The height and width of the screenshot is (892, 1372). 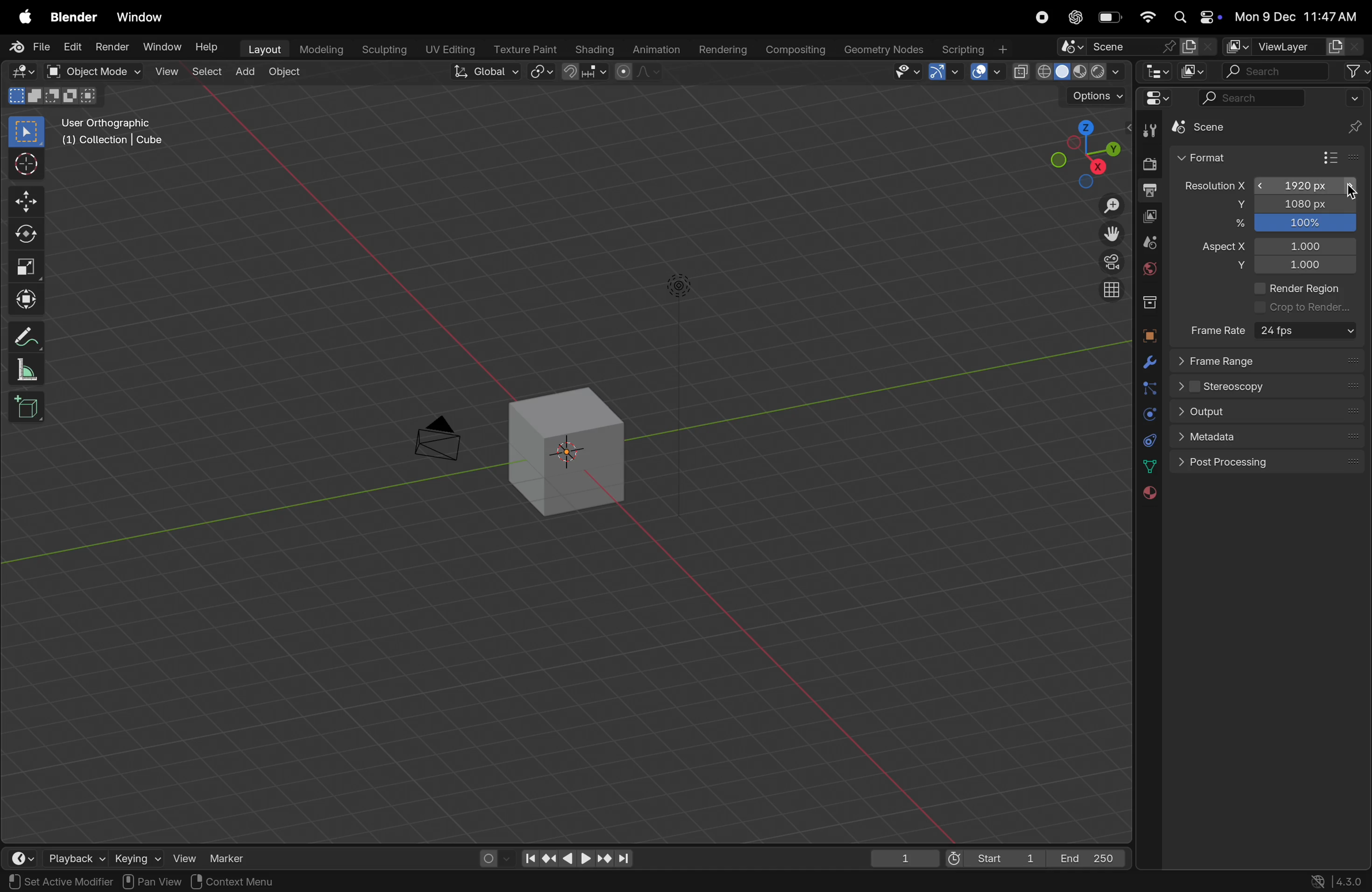 What do you see at coordinates (898, 857) in the screenshot?
I see `1` at bounding box center [898, 857].